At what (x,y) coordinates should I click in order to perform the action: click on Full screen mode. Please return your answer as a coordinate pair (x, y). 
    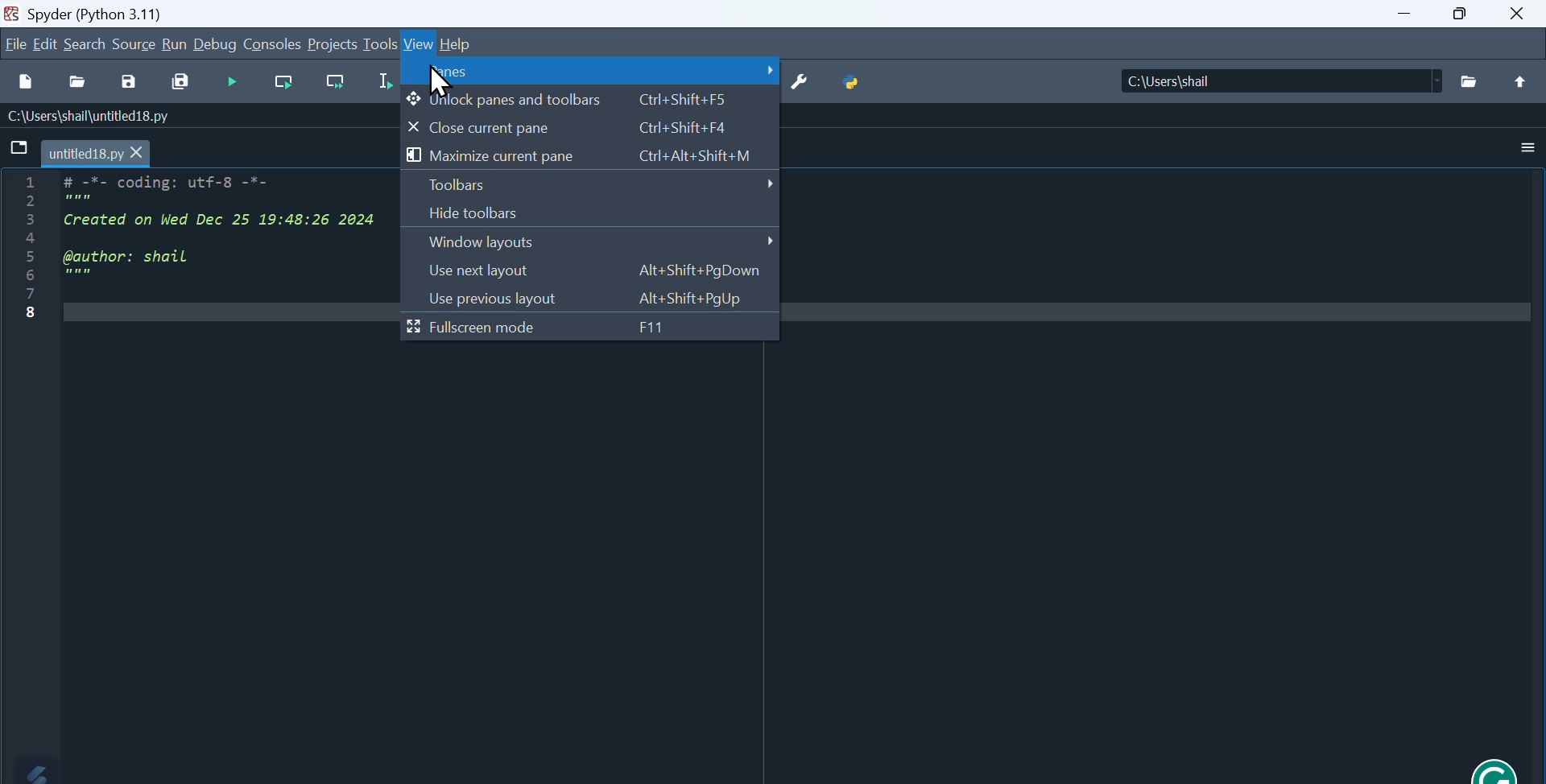
    Looking at the image, I should click on (539, 329).